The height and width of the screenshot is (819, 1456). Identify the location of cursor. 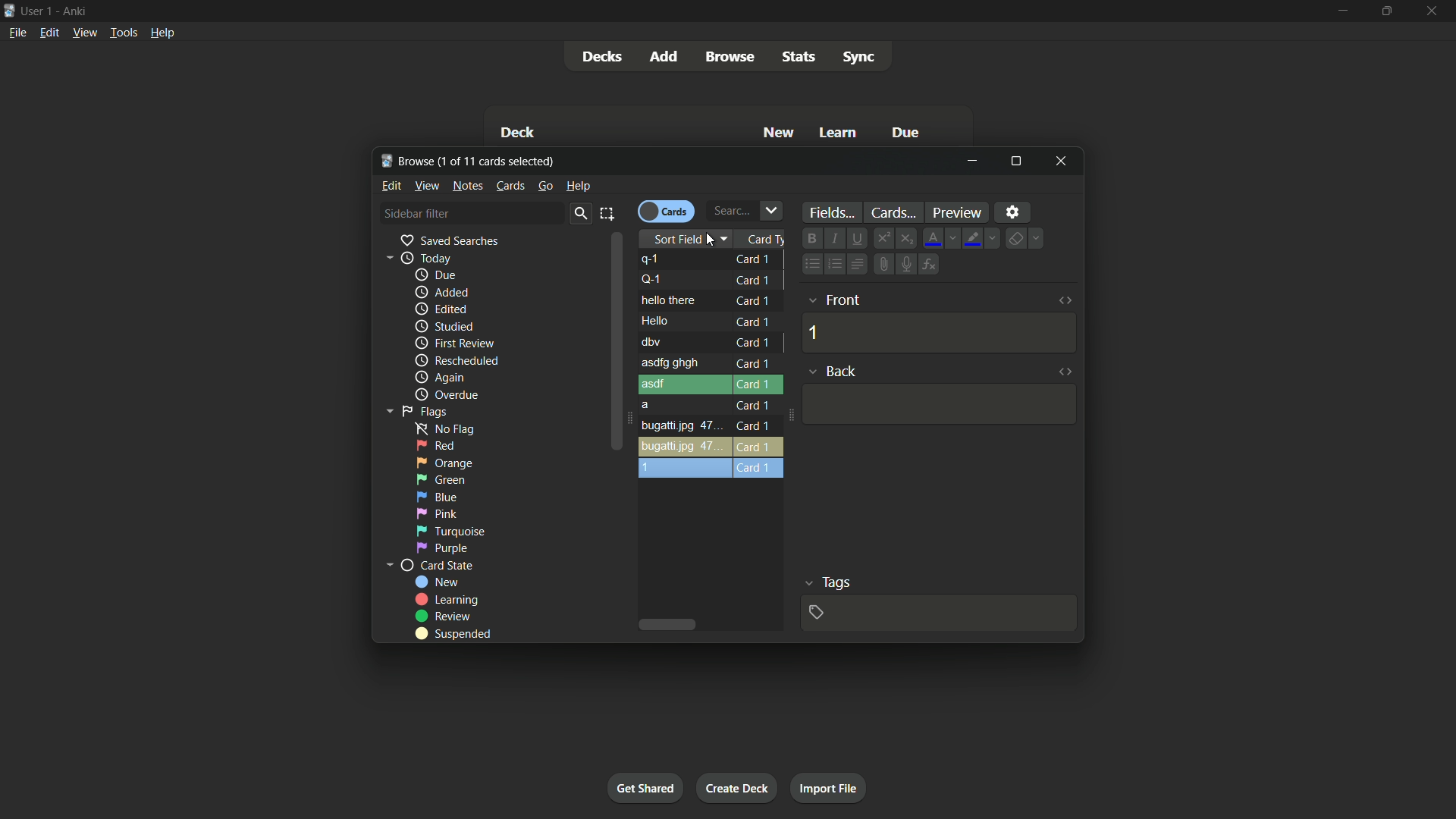
(715, 240).